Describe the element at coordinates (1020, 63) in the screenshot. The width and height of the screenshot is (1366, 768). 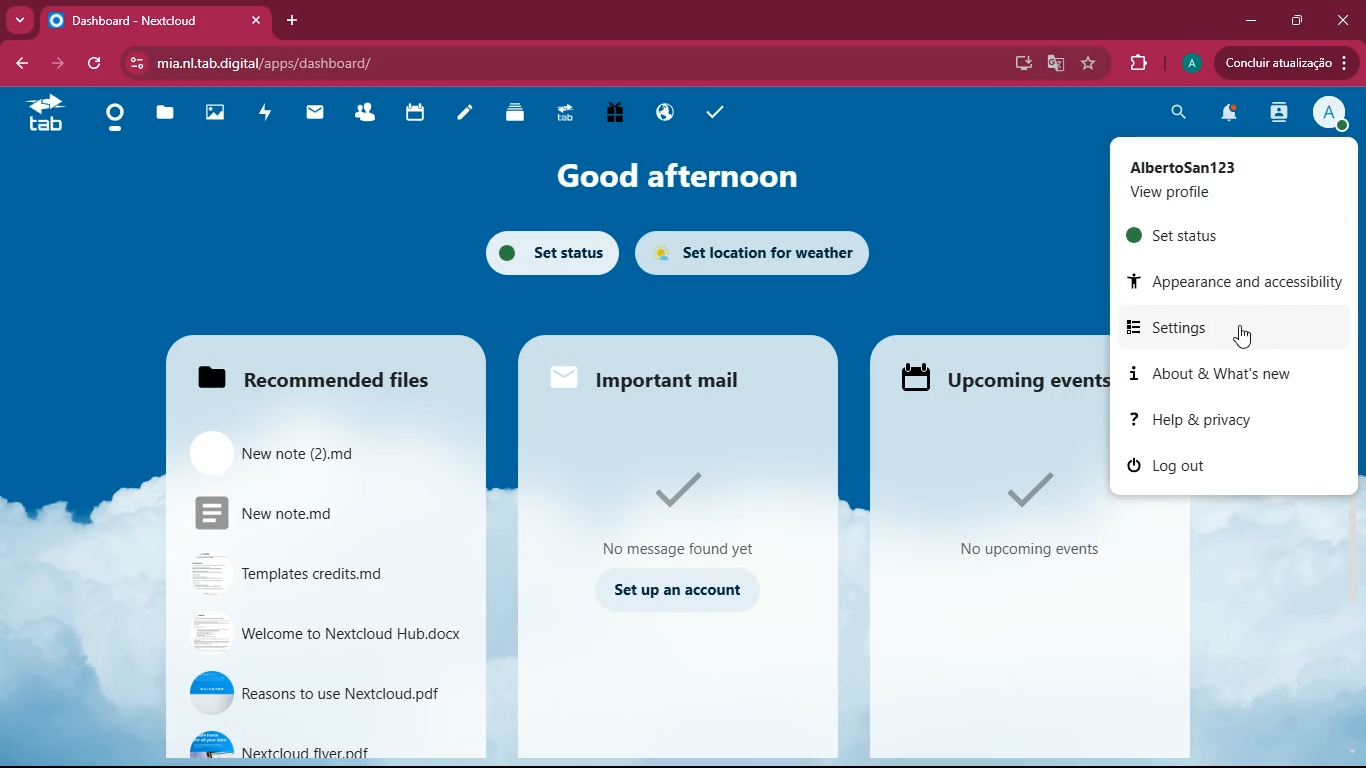
I see `desktop` at that location.